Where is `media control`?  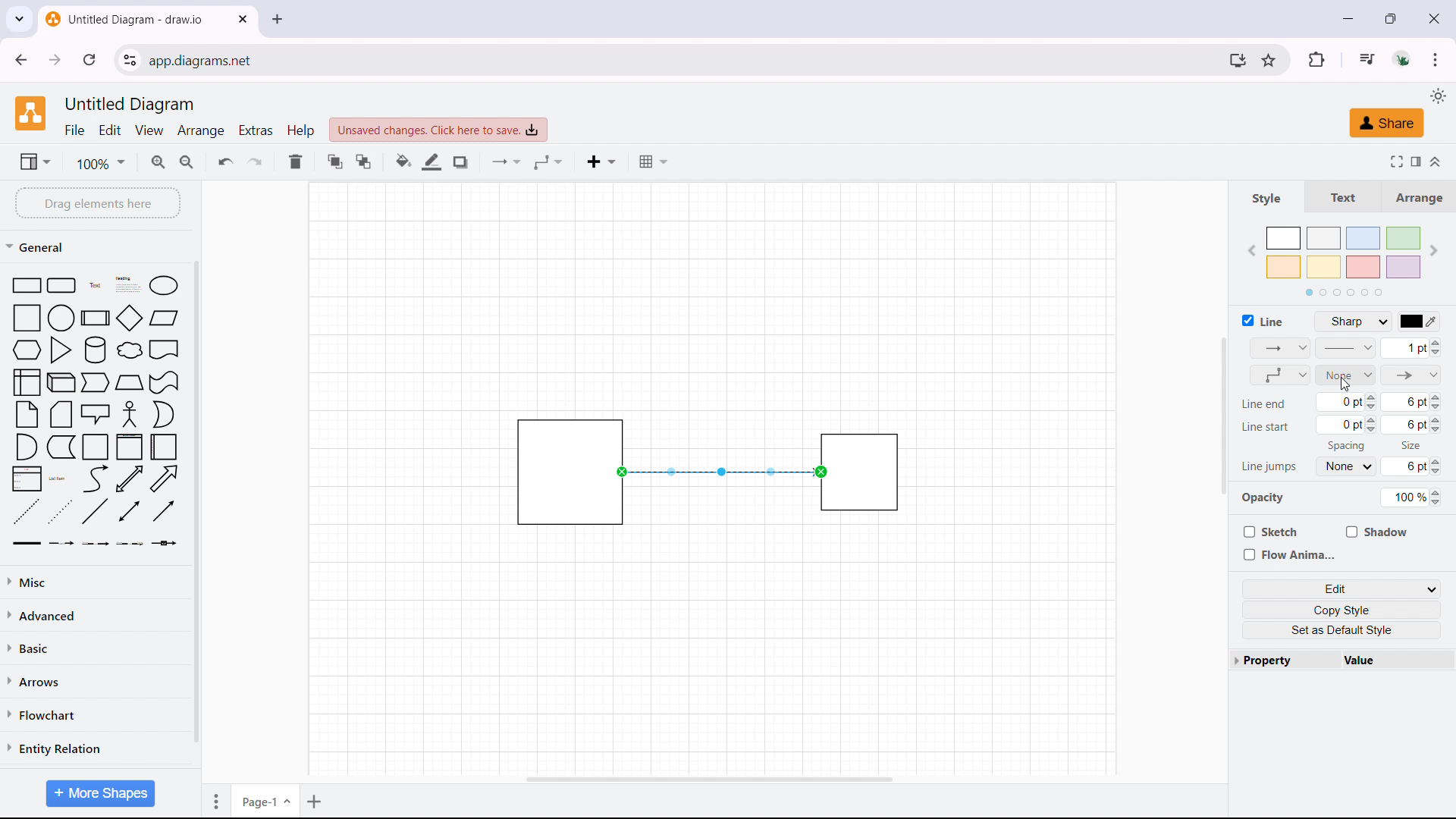
media control is located at coordinates (1365, 58).